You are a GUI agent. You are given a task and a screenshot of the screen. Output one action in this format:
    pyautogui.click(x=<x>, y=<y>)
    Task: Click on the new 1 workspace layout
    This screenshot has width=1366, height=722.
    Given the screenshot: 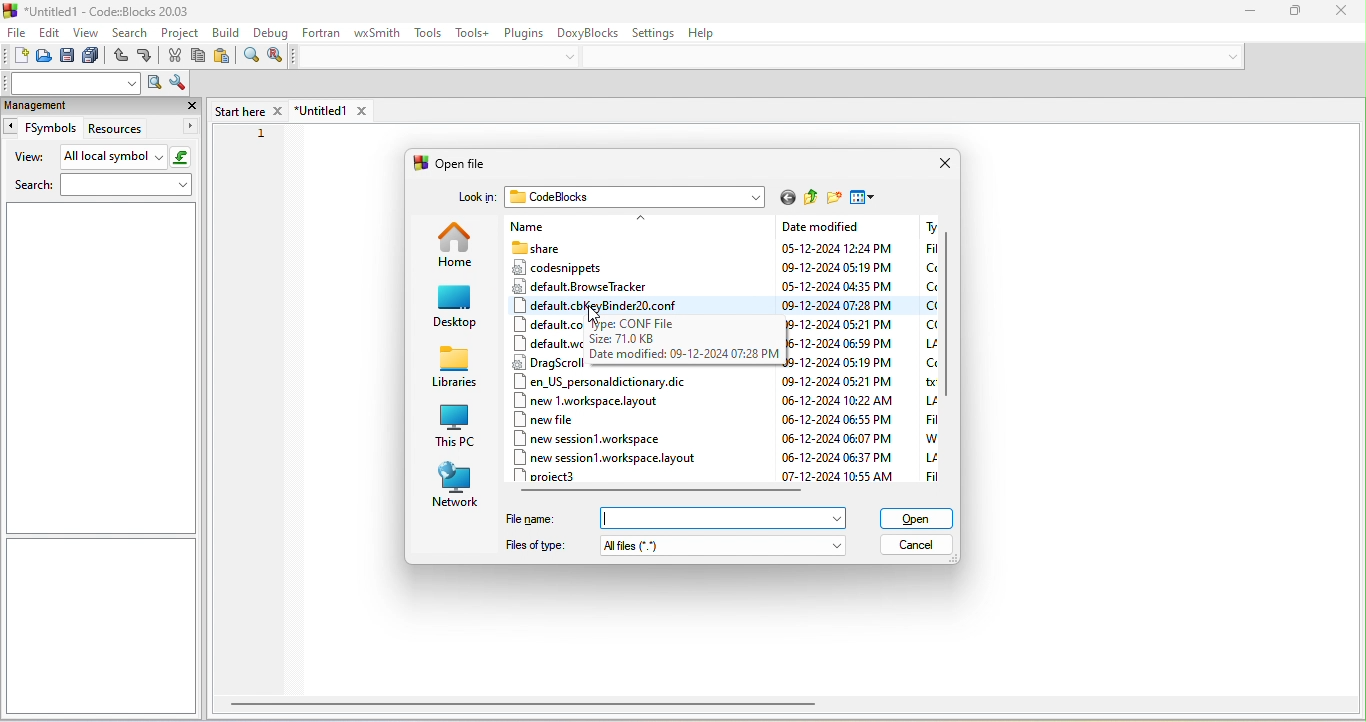 What is the action you would take?
    pyautogui.click(x=594, y=400)
    